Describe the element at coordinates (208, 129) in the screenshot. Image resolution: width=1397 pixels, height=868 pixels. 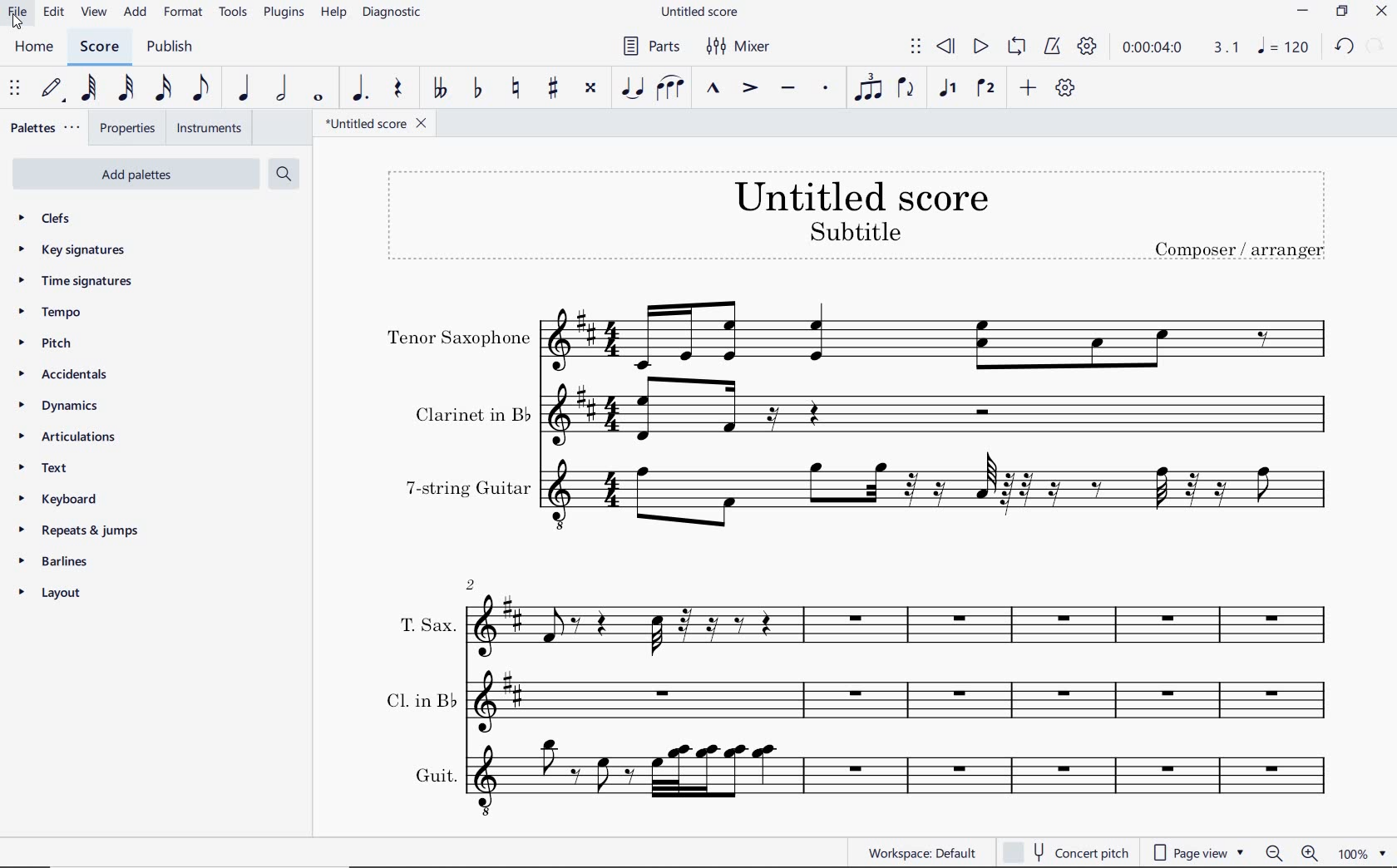
I see `INSTRUMENTS` at that location.